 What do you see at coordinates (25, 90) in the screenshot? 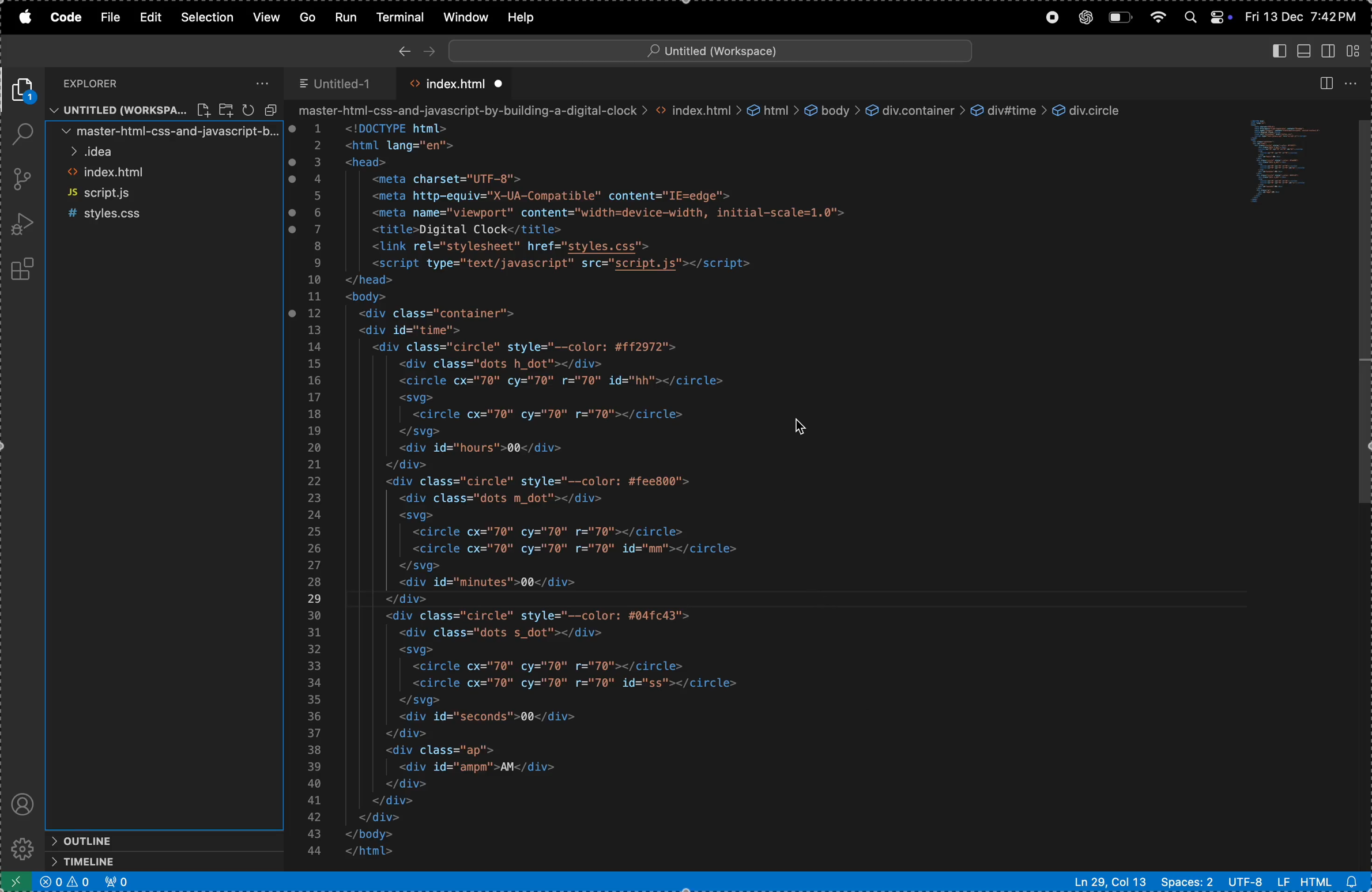
I see `explorer` at bounding box center [25, 90].